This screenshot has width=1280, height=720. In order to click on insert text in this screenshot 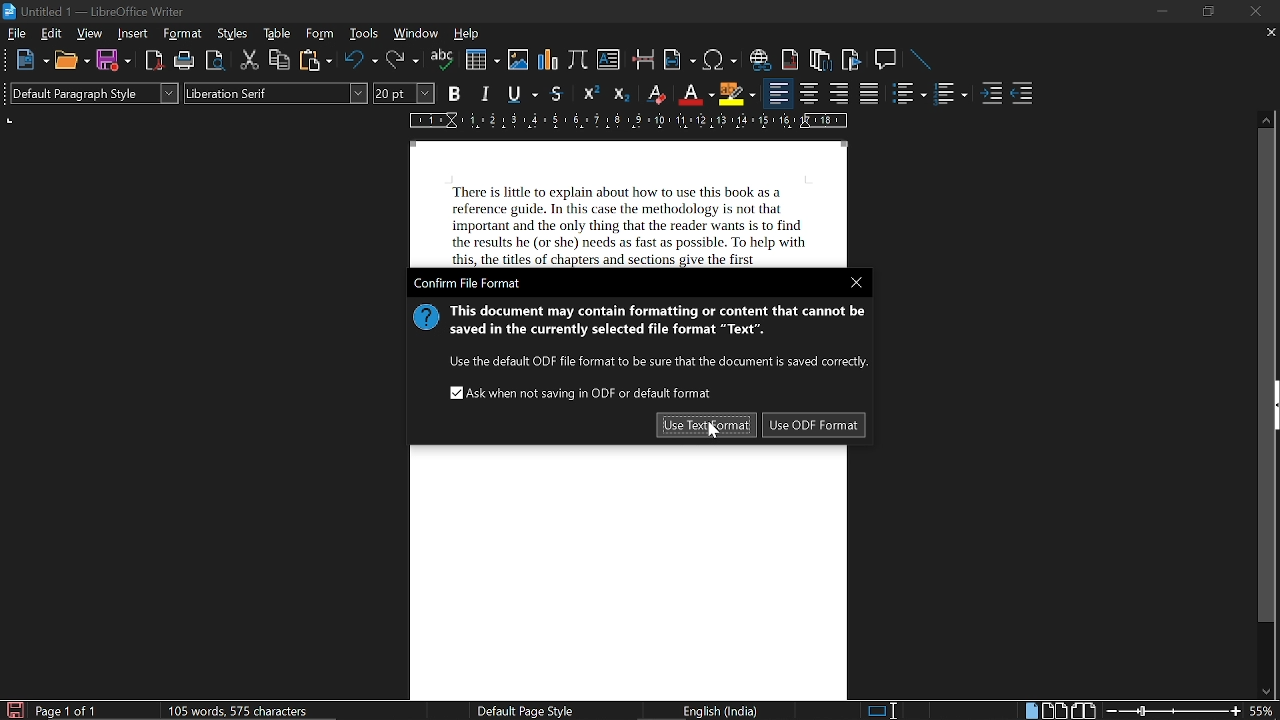, I will do `click(609, 60)`.